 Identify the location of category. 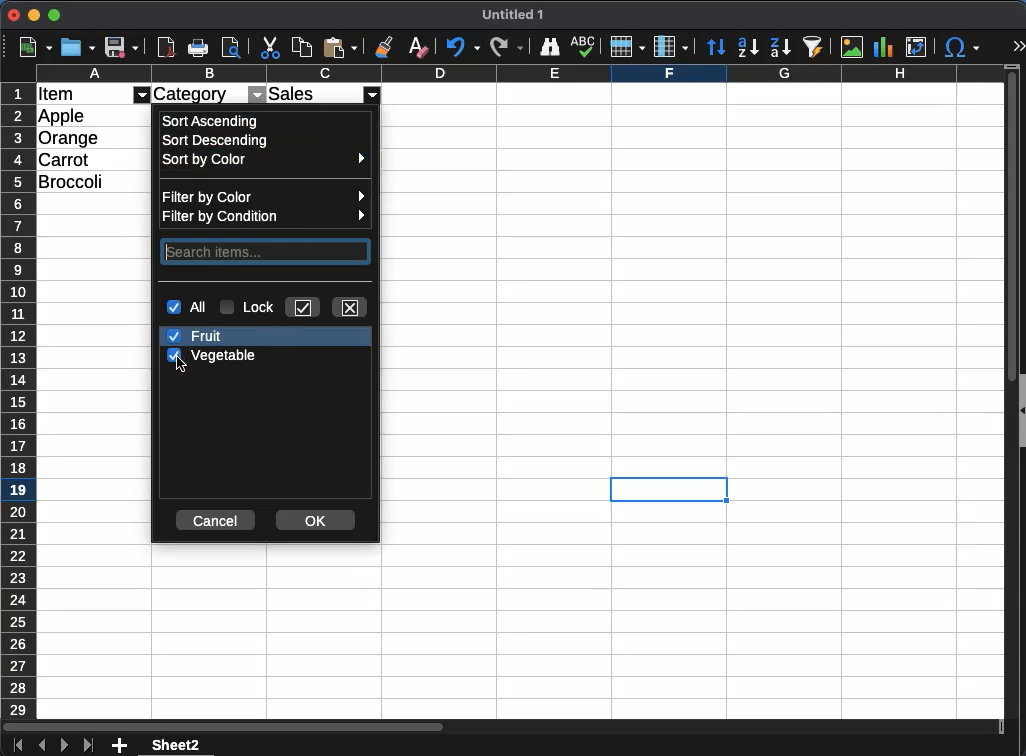
(193, 94).